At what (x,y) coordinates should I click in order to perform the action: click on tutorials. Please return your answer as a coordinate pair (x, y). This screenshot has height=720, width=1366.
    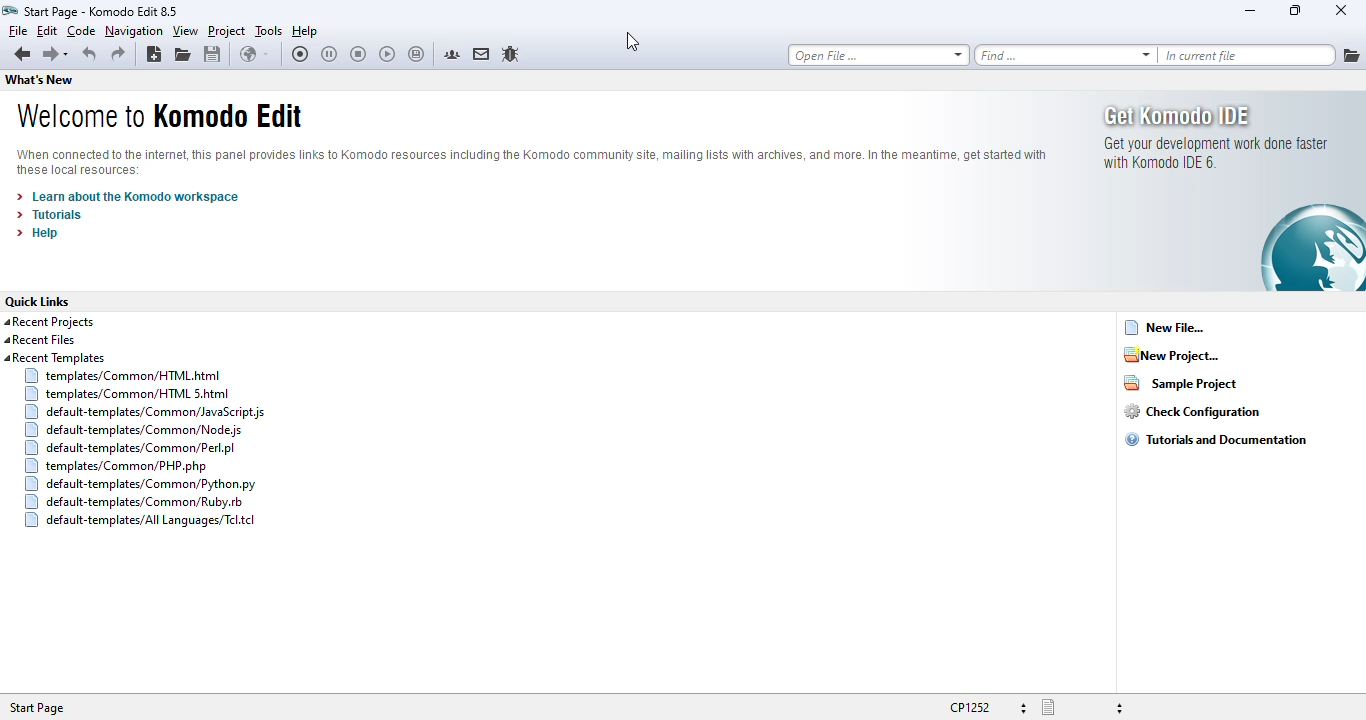
    Looking at the image, I should click on (49, 215).